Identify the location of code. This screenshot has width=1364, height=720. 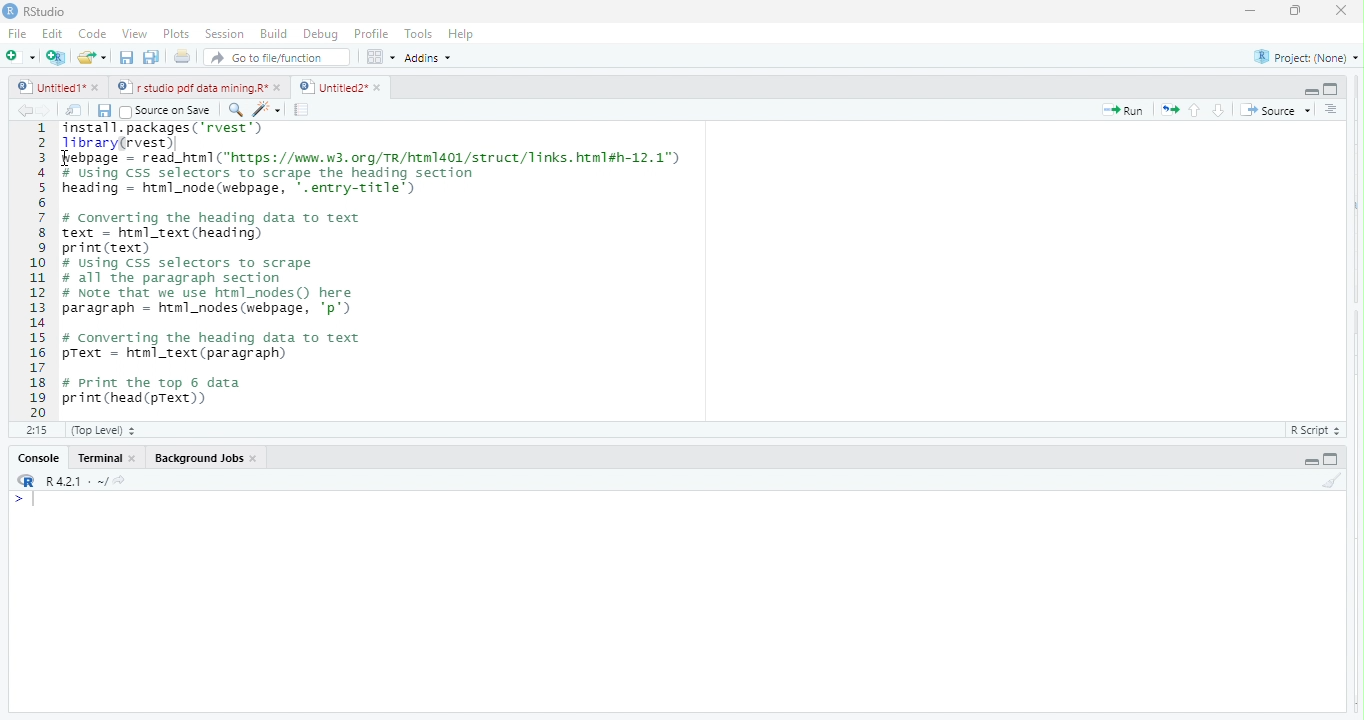
(93, 35).